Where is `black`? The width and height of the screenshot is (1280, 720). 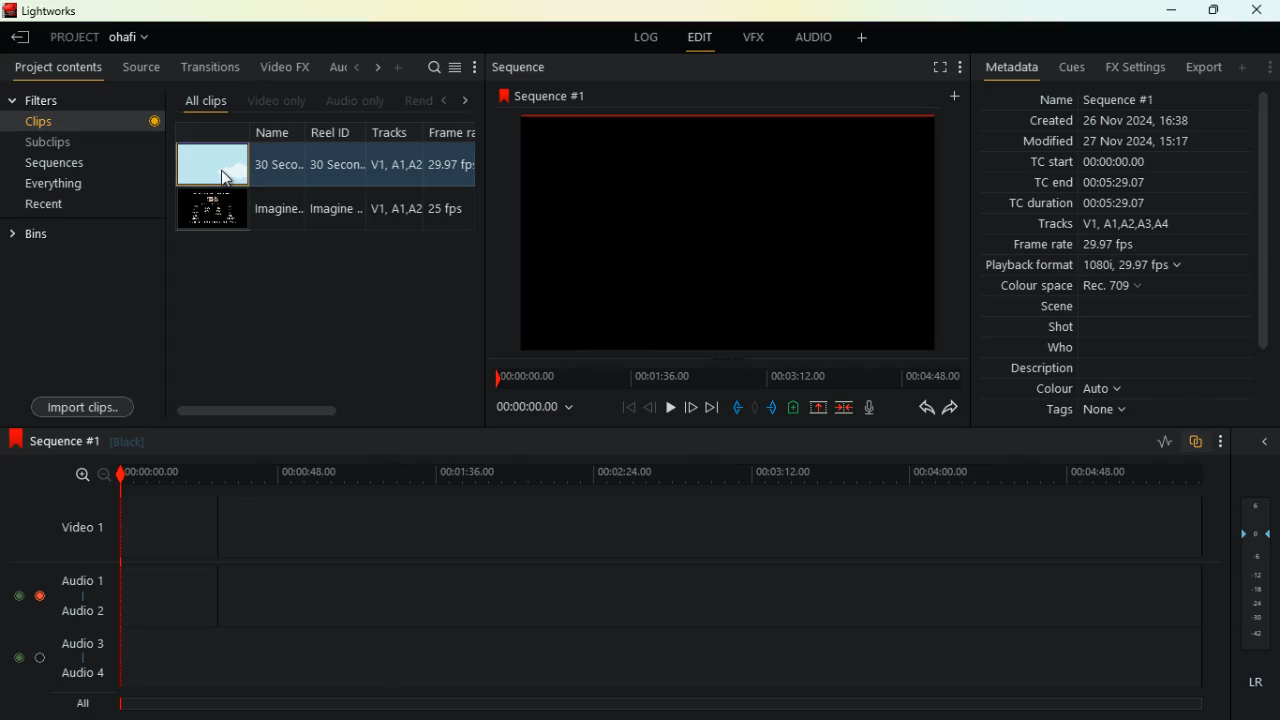
black is located at coordinates (126, 442).